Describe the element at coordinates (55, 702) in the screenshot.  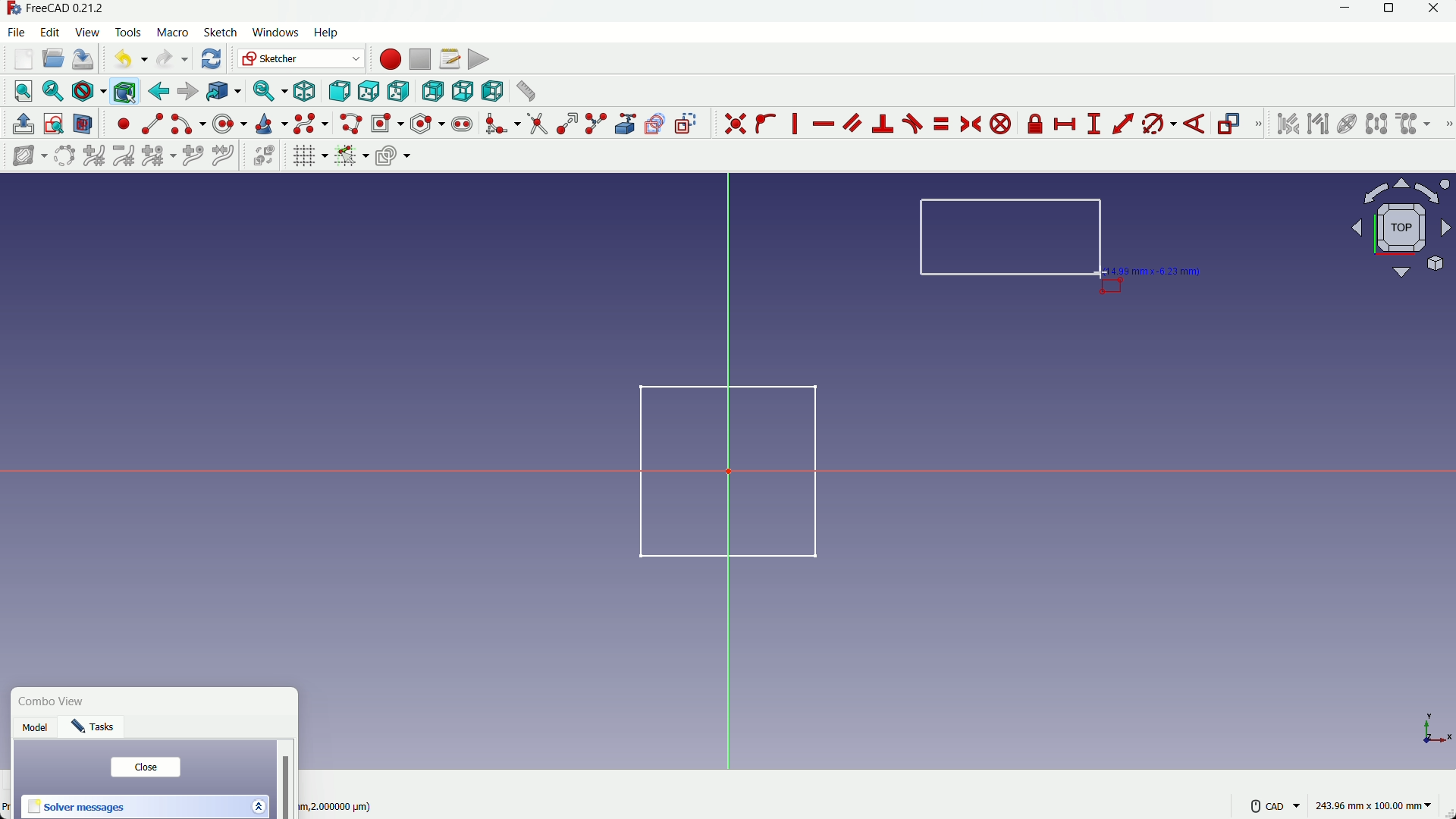
I see `Combo View` at that location.